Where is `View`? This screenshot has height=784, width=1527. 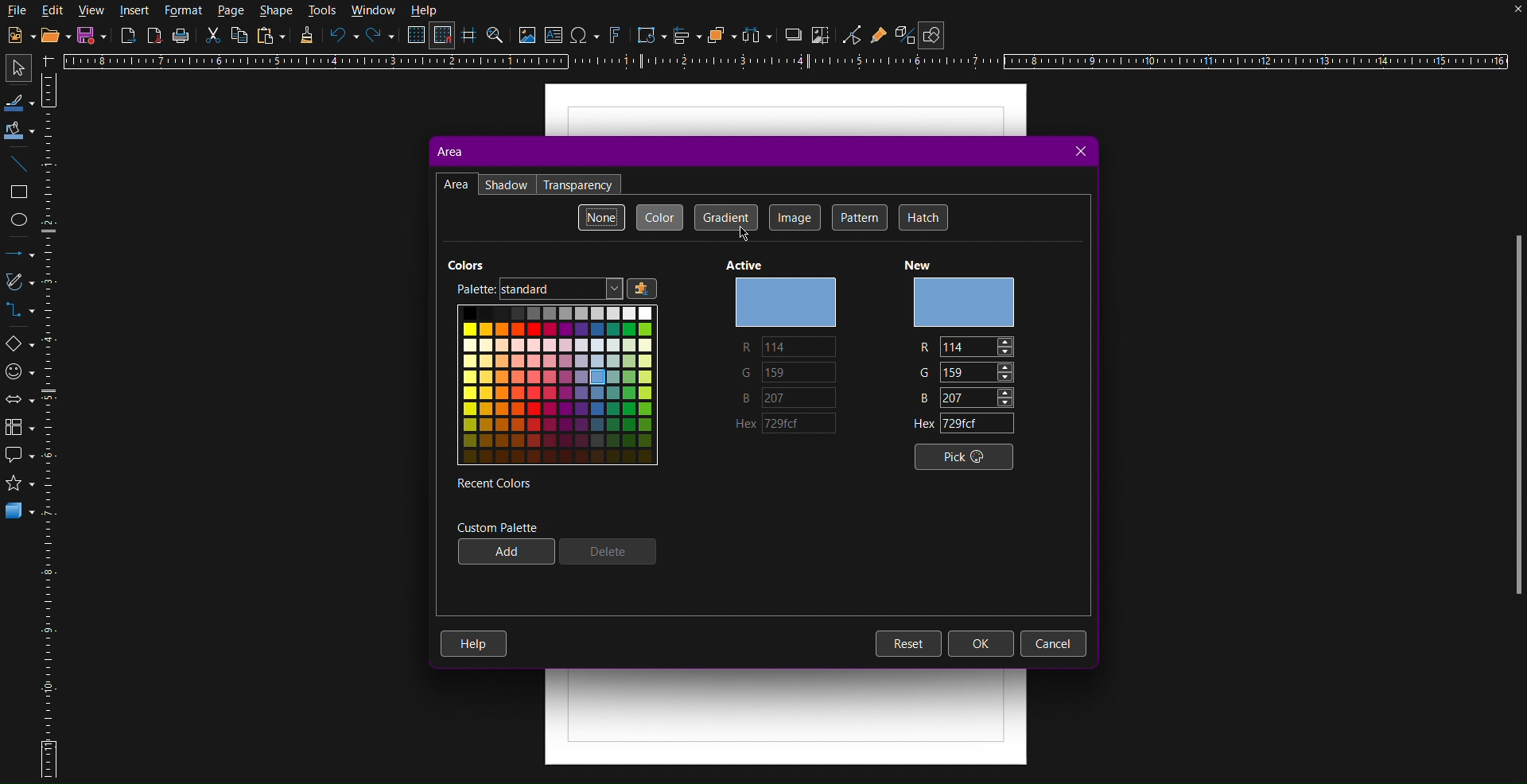
View is located at coordinates (94, 11).